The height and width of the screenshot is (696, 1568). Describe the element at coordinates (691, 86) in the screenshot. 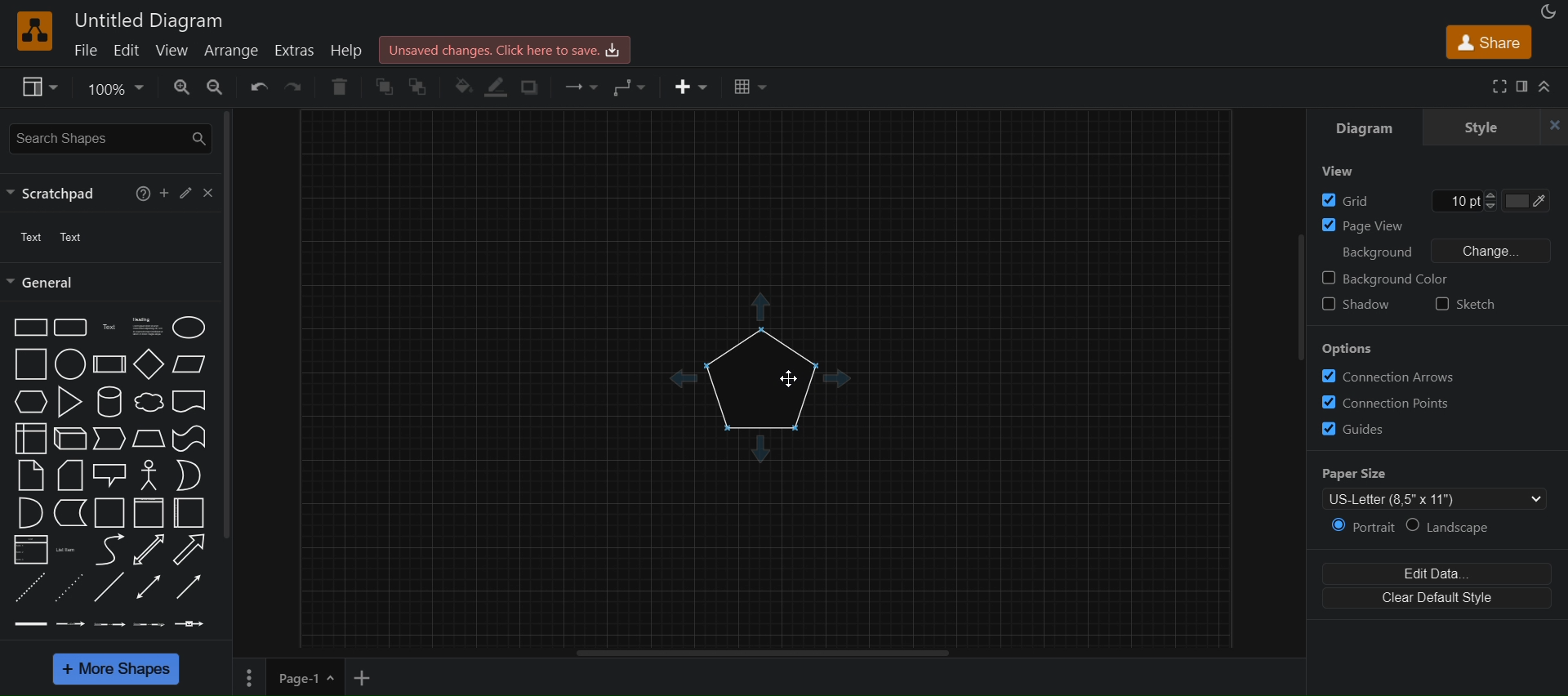

I see `insert` at that location.